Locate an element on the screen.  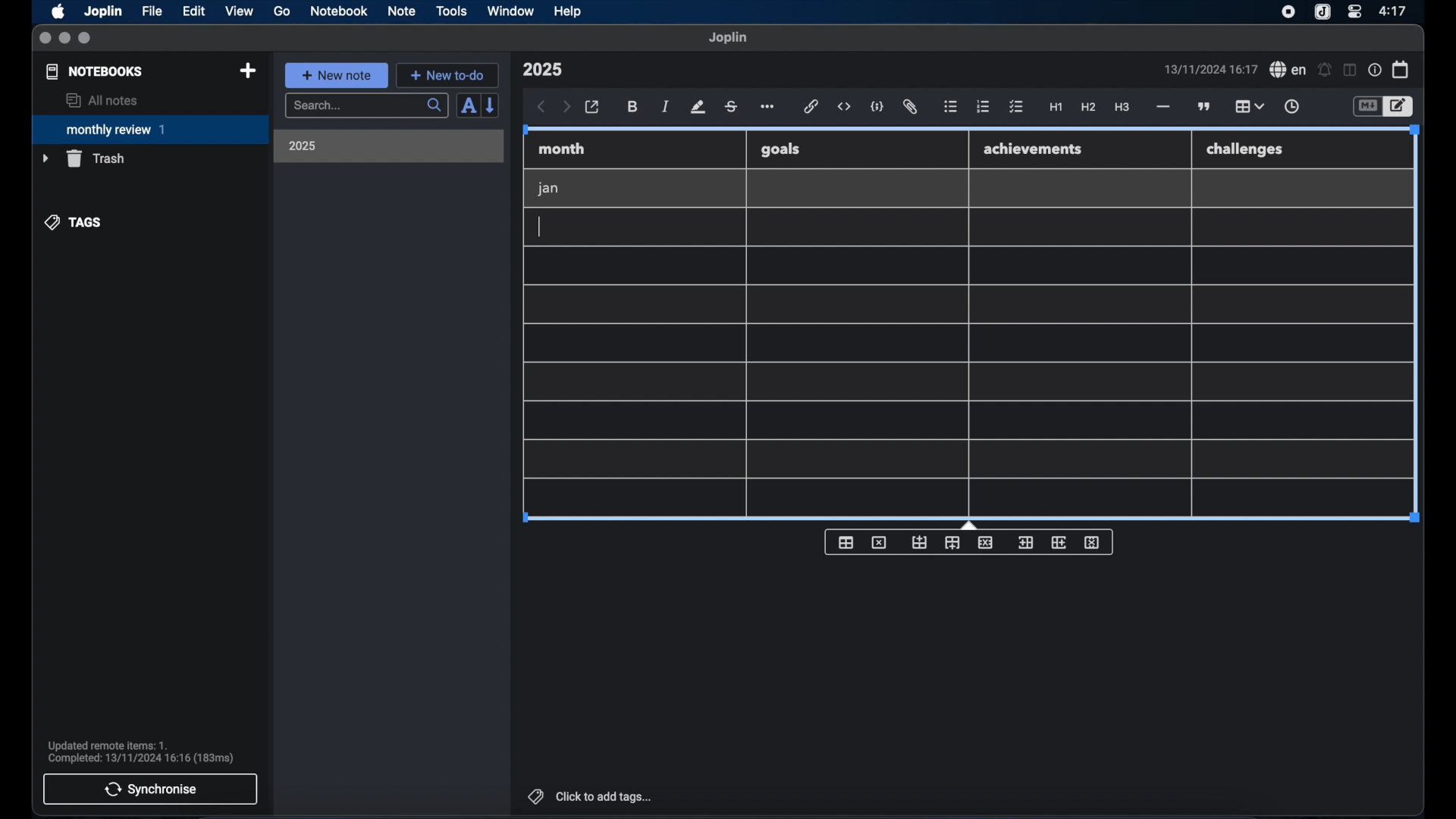
delete table is located at coordinates (879, 543).